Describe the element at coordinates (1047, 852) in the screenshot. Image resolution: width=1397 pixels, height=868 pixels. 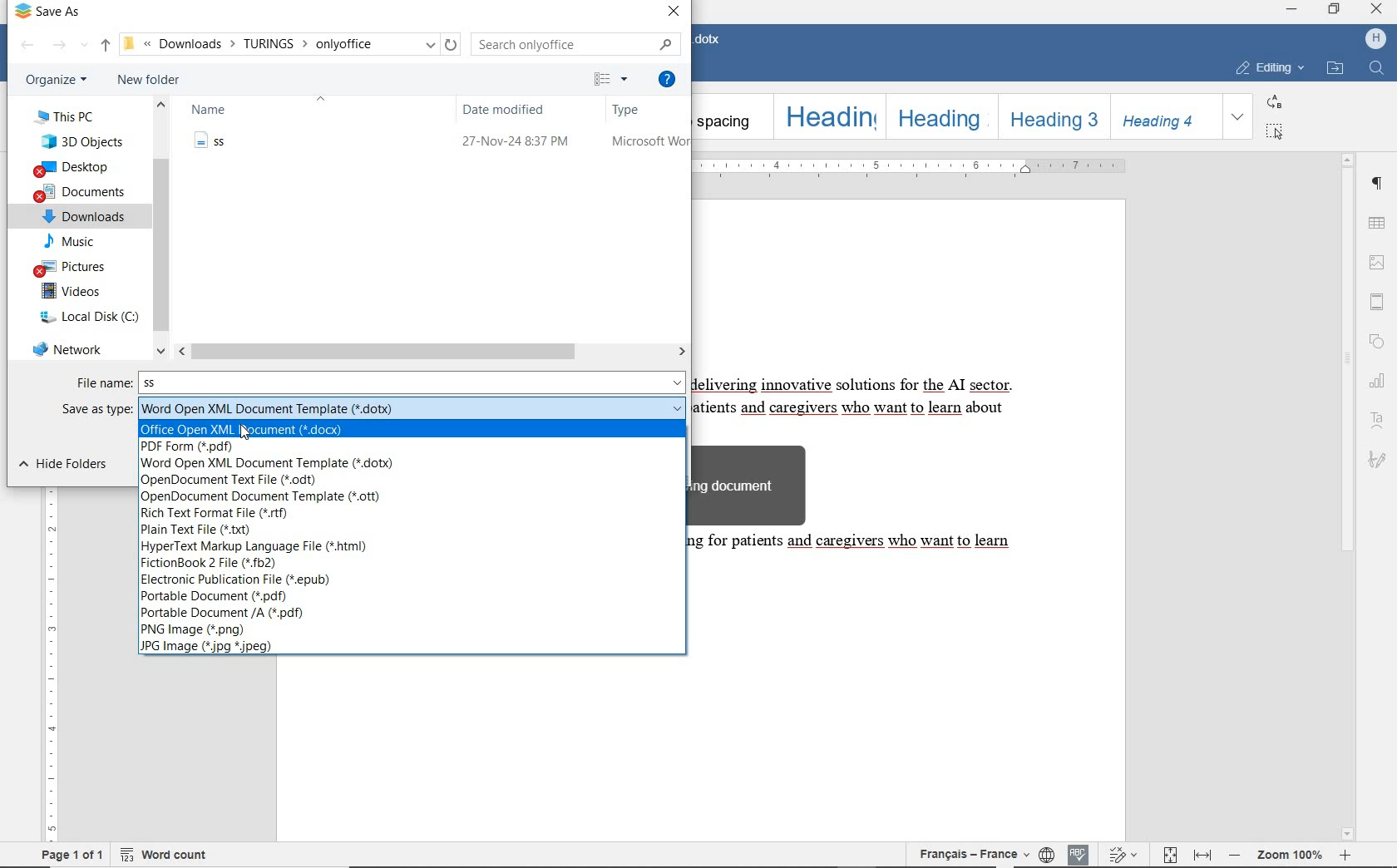
I see `SET DOCUMENT LANGUAGE` at that location.